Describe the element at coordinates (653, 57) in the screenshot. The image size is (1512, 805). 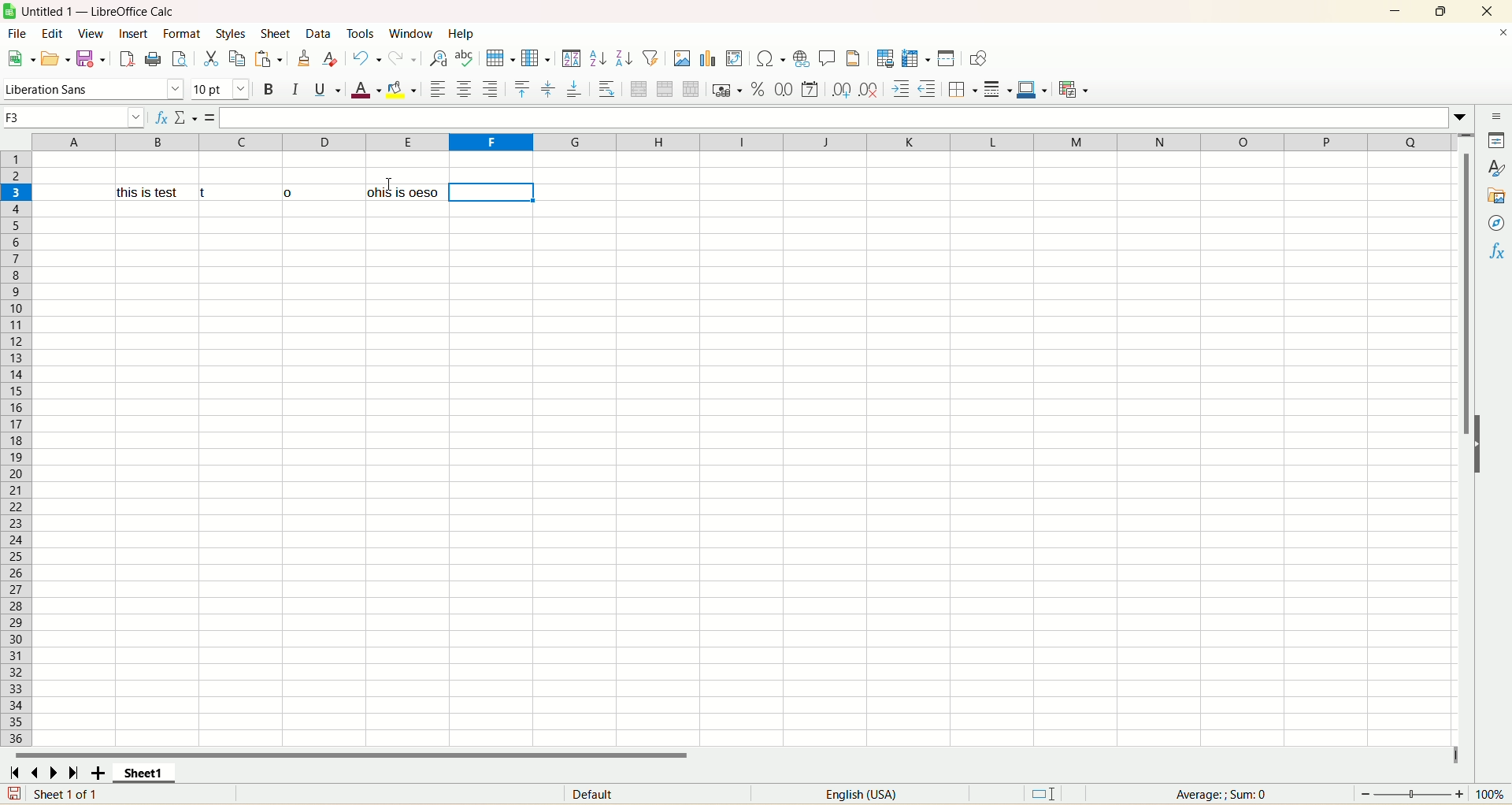
I see `autofilter` at that location.